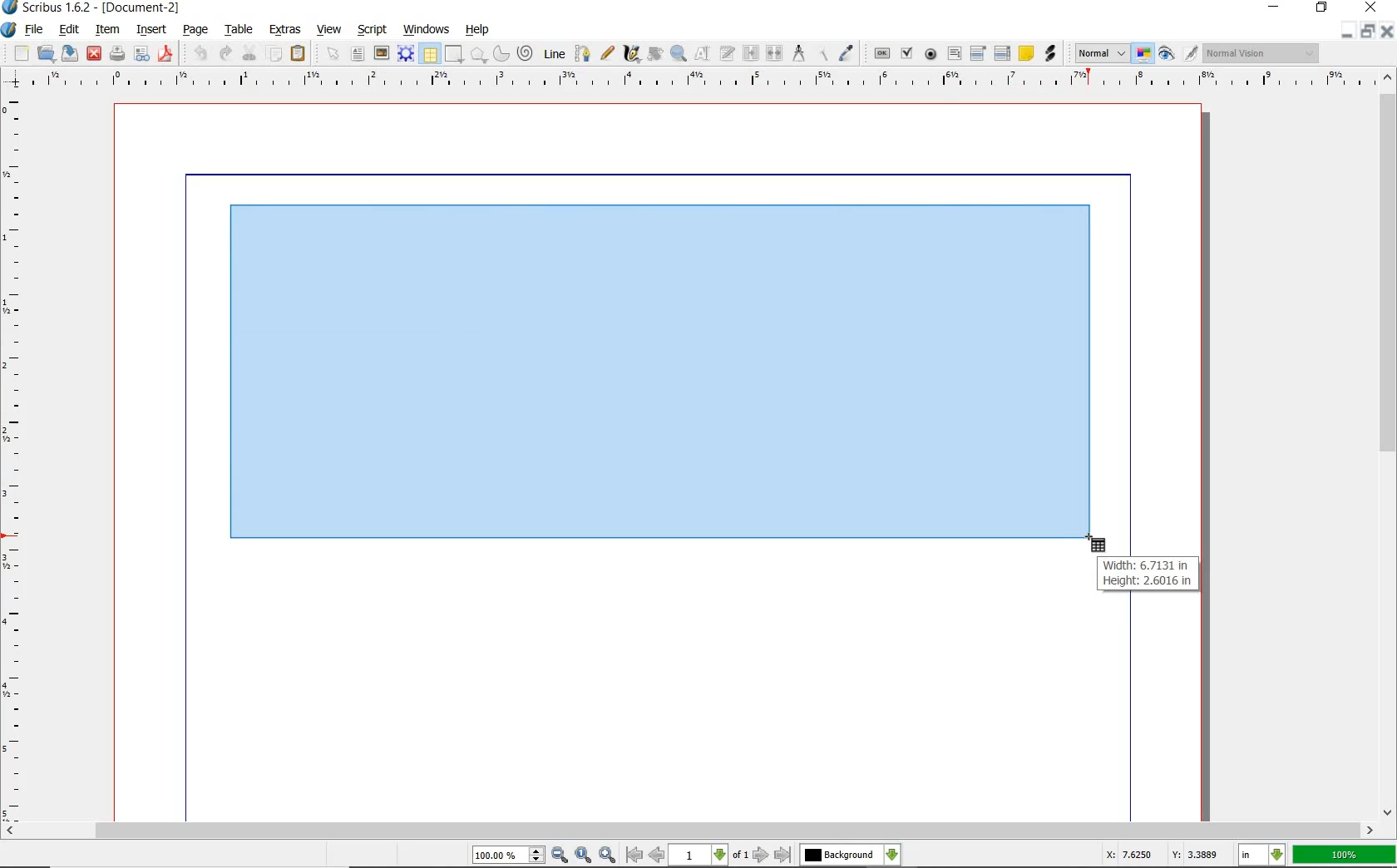 The image size is (1397, 868). I want to click on file, so click(36, 31).